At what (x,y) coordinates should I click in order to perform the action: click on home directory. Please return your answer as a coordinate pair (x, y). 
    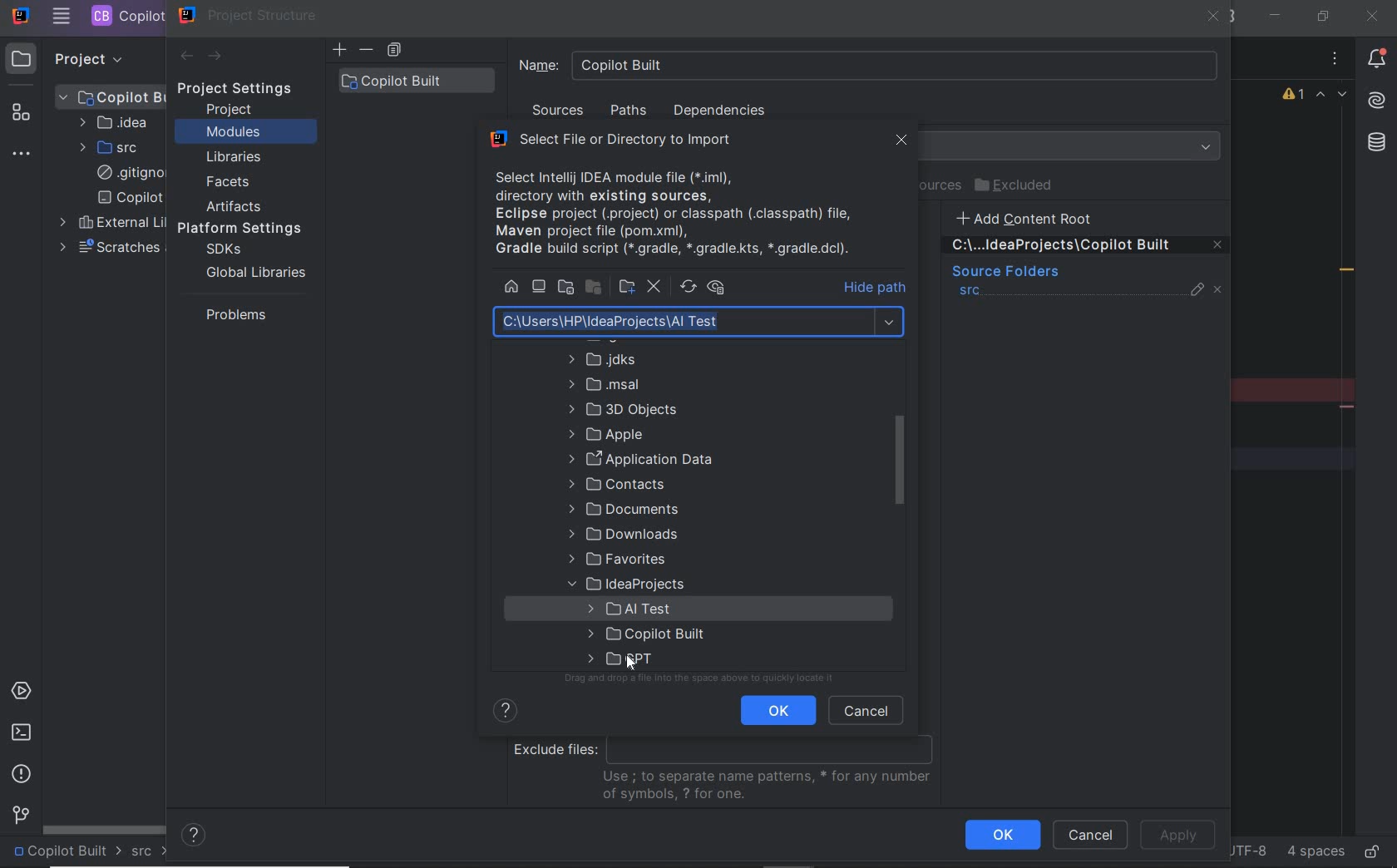
    Looking at the image, I should click on (511, 287).